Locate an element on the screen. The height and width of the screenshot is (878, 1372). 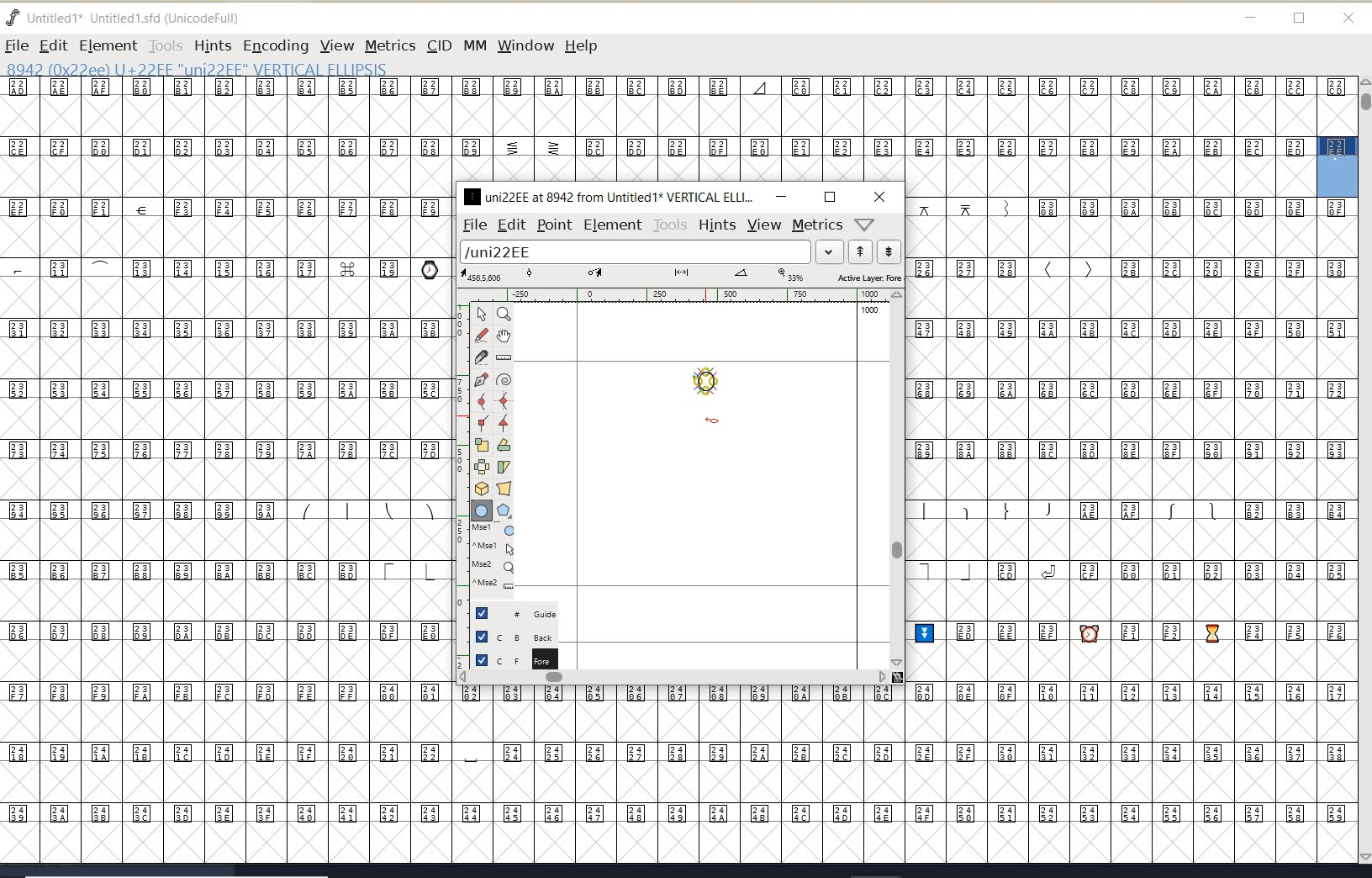
GLYPHY CHARACTERS & NUMBERS is located at coordinates (657, 130).